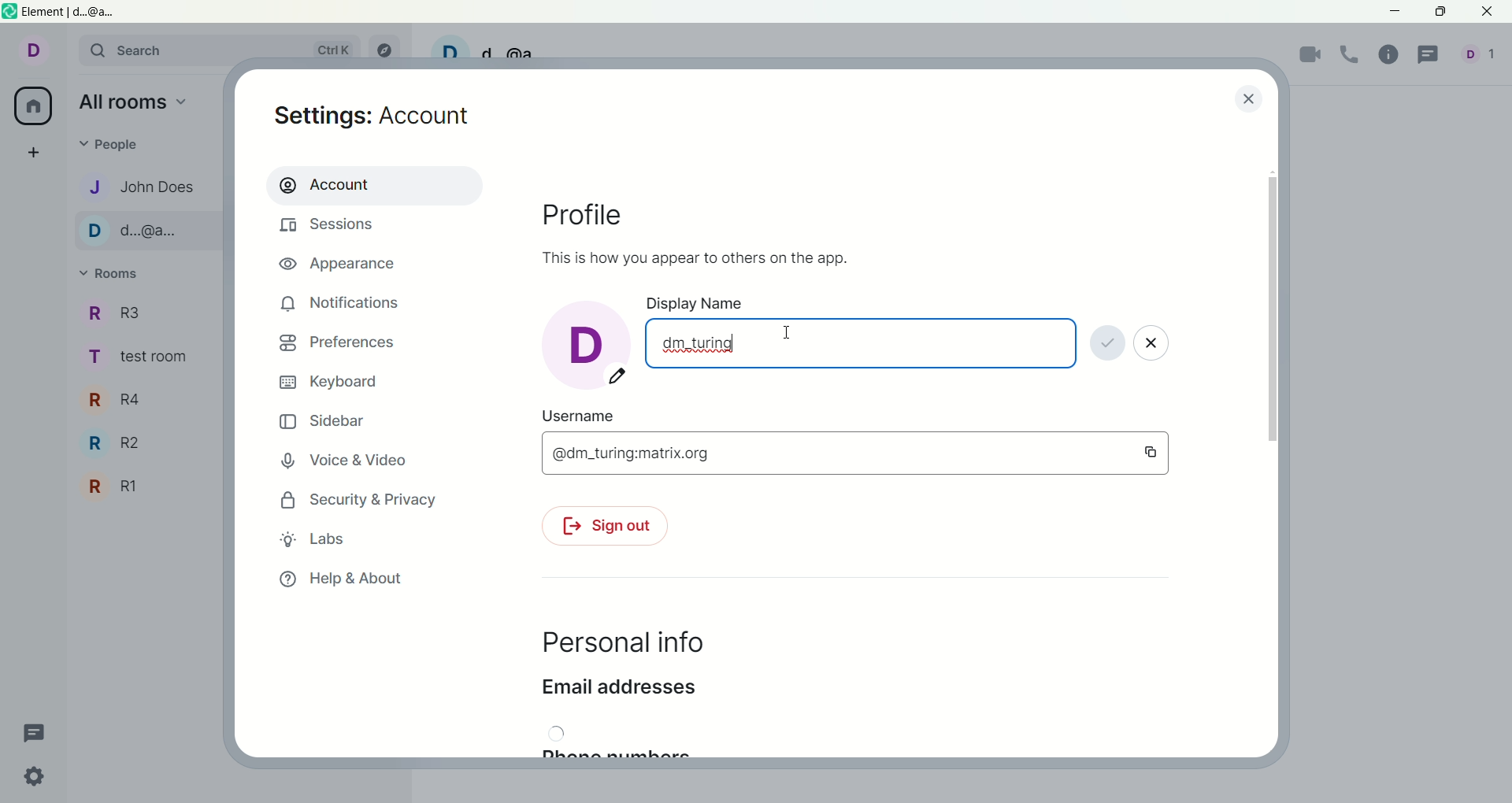 The width and height of the screenshot is (1512, 803). I want to click on TEST ROOM, so click(145, 361).